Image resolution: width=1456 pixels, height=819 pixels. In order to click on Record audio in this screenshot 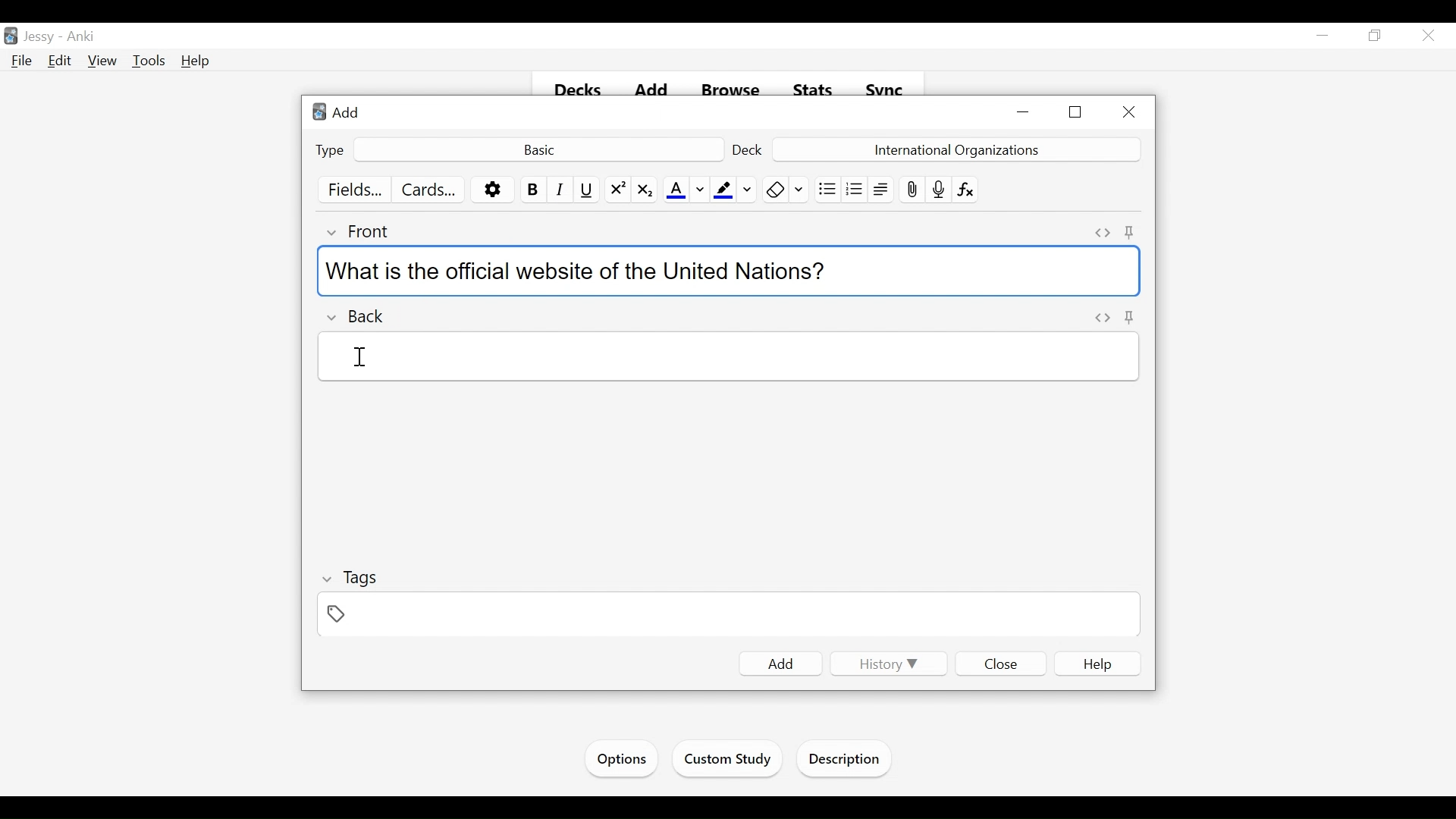, I will do `click(938, 190)`.